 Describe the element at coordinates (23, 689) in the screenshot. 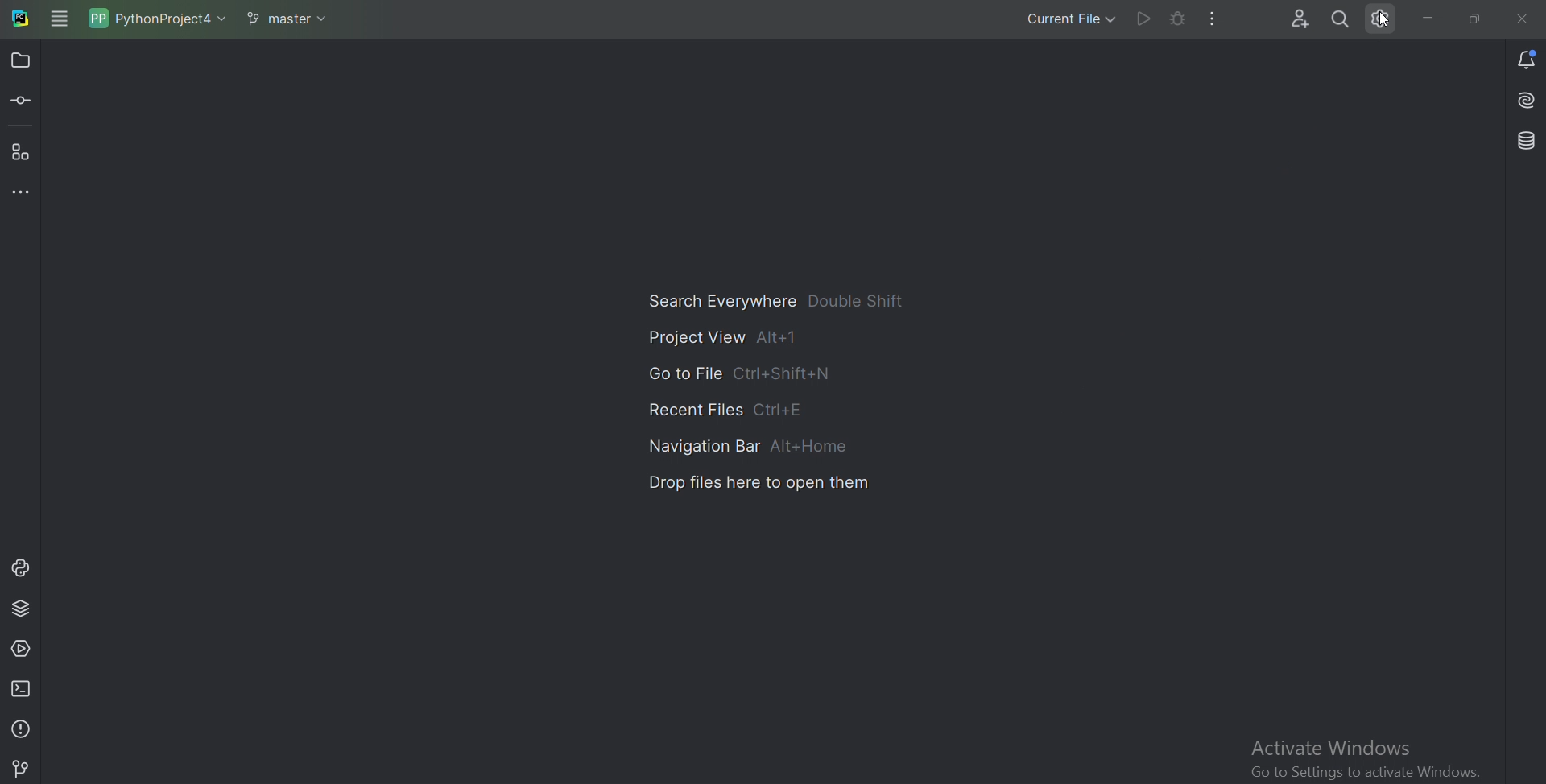

I see `Terminal` at that location.